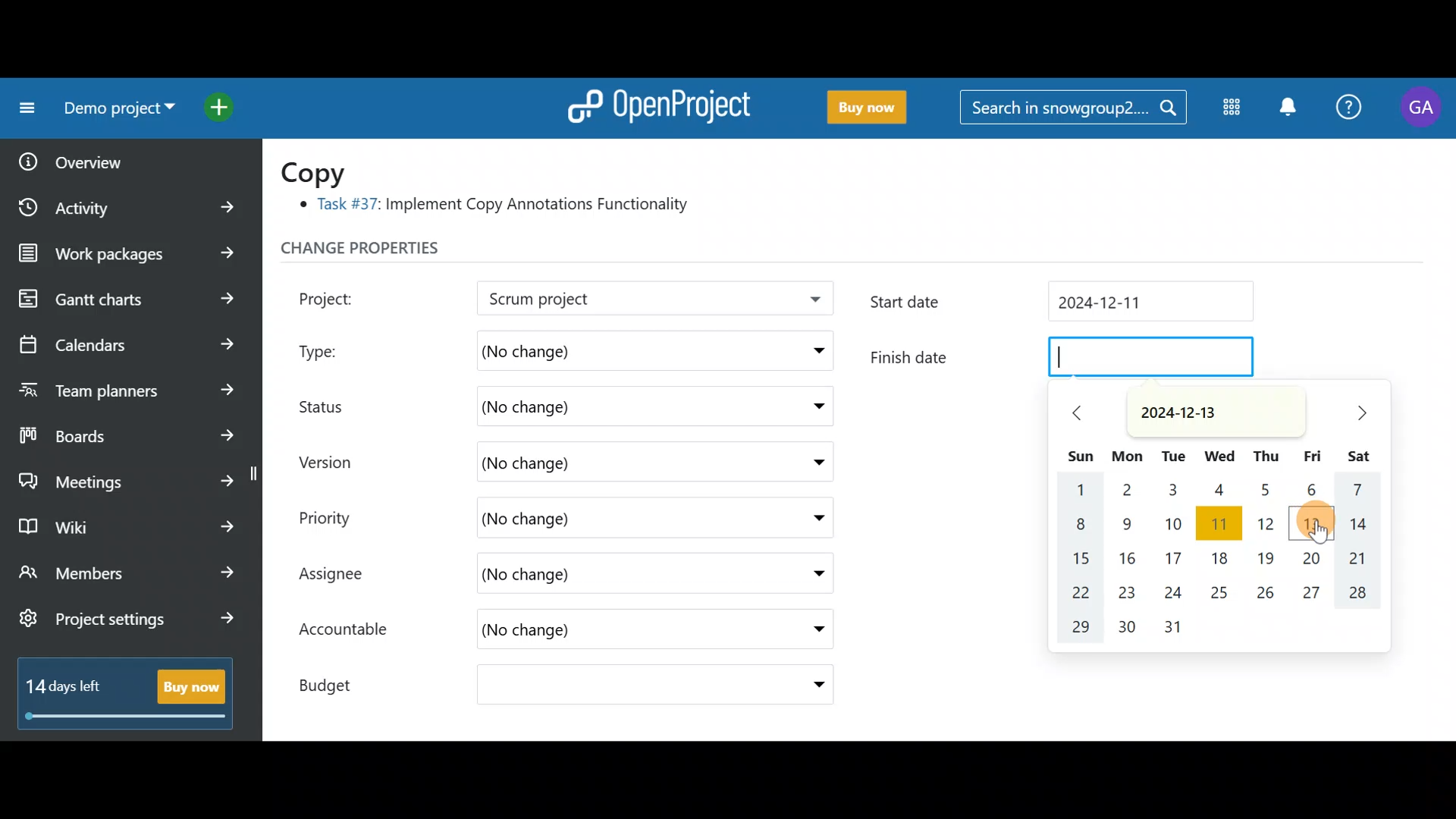 Image resolution: width=1456 pixels, height=819 pixels. What do you see at coordinates (1313, 457) in the screenshot?
I see `Fri` at bounding box center [1313, 457].